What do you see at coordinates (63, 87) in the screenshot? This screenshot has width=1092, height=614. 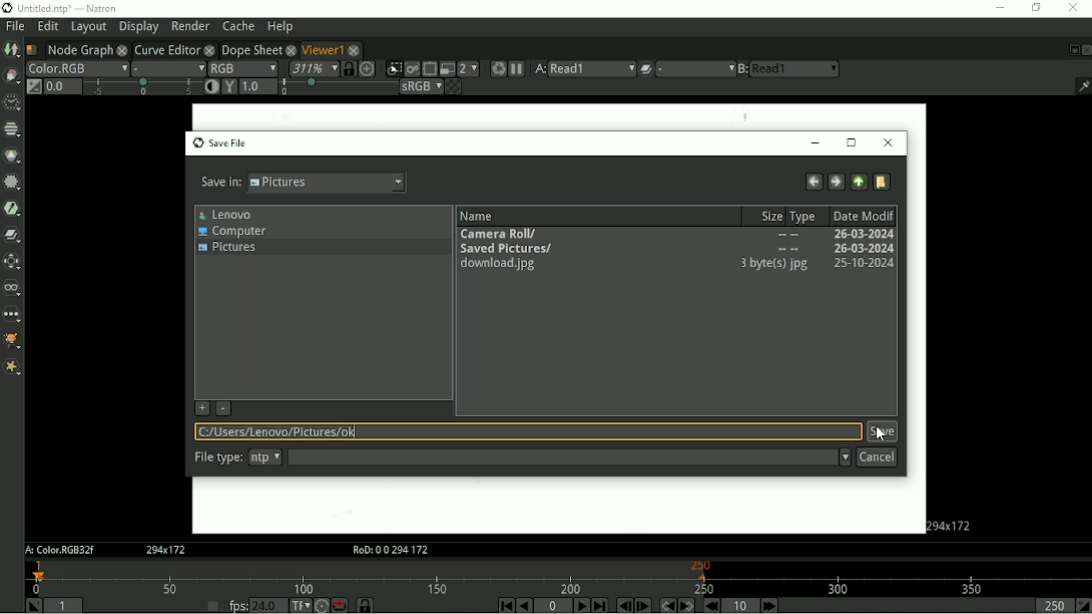 I see `Gain` at bounding box center [63, 87].